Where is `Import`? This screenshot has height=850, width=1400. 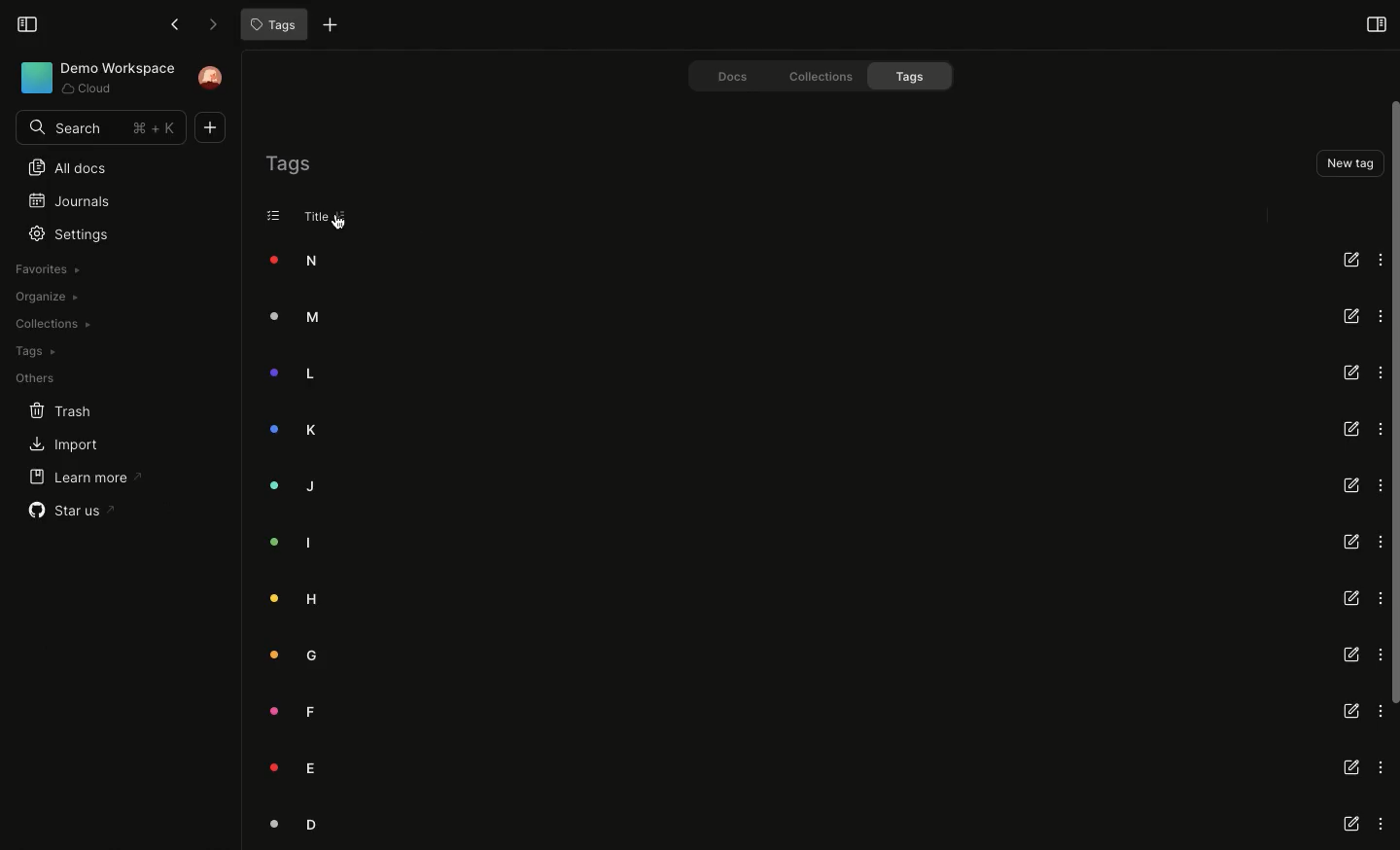
Import is located at coordinates (55, 445).